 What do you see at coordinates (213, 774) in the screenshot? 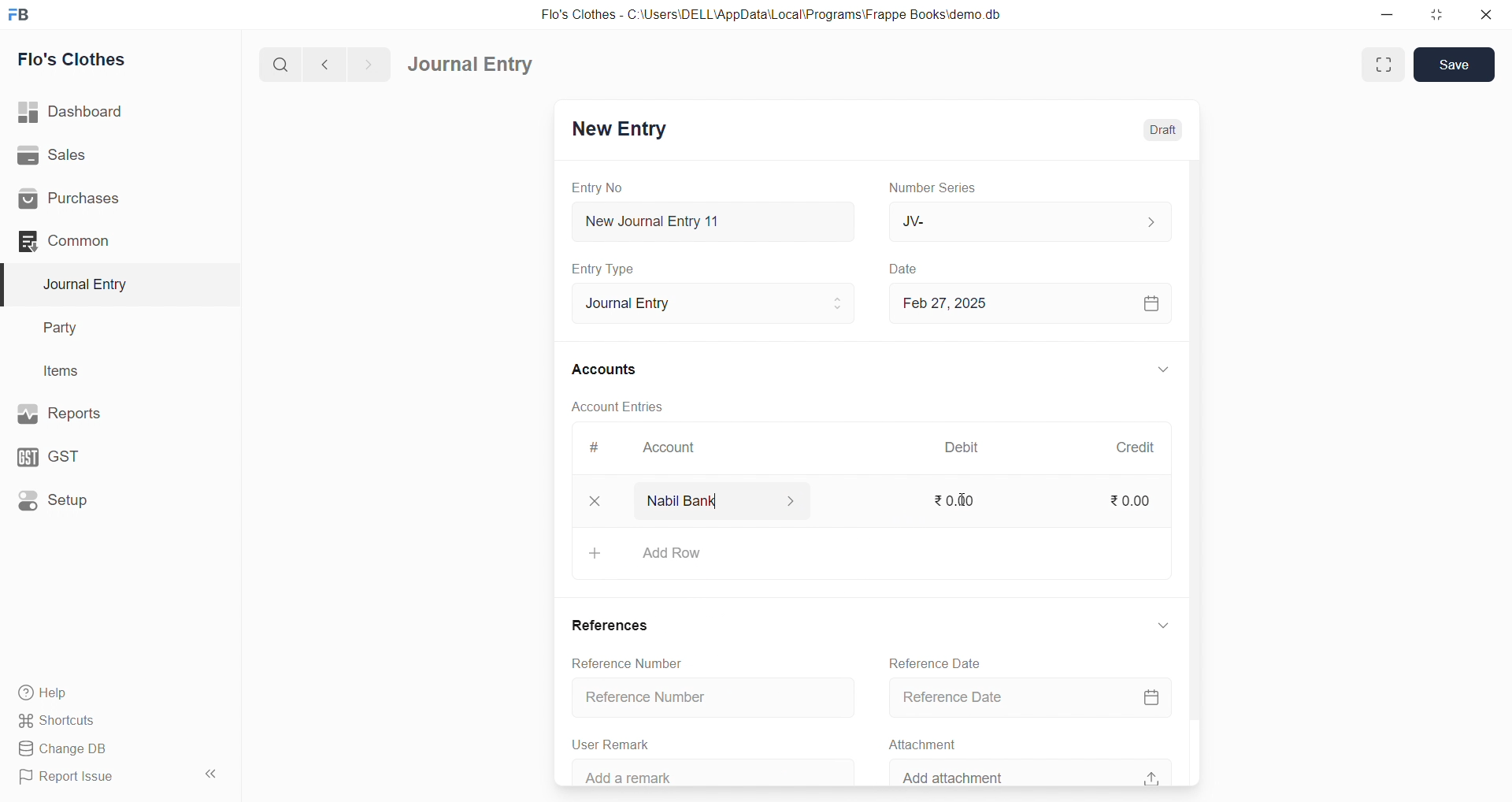
I see `collapse sidebar` at bounding box center [213, 774].